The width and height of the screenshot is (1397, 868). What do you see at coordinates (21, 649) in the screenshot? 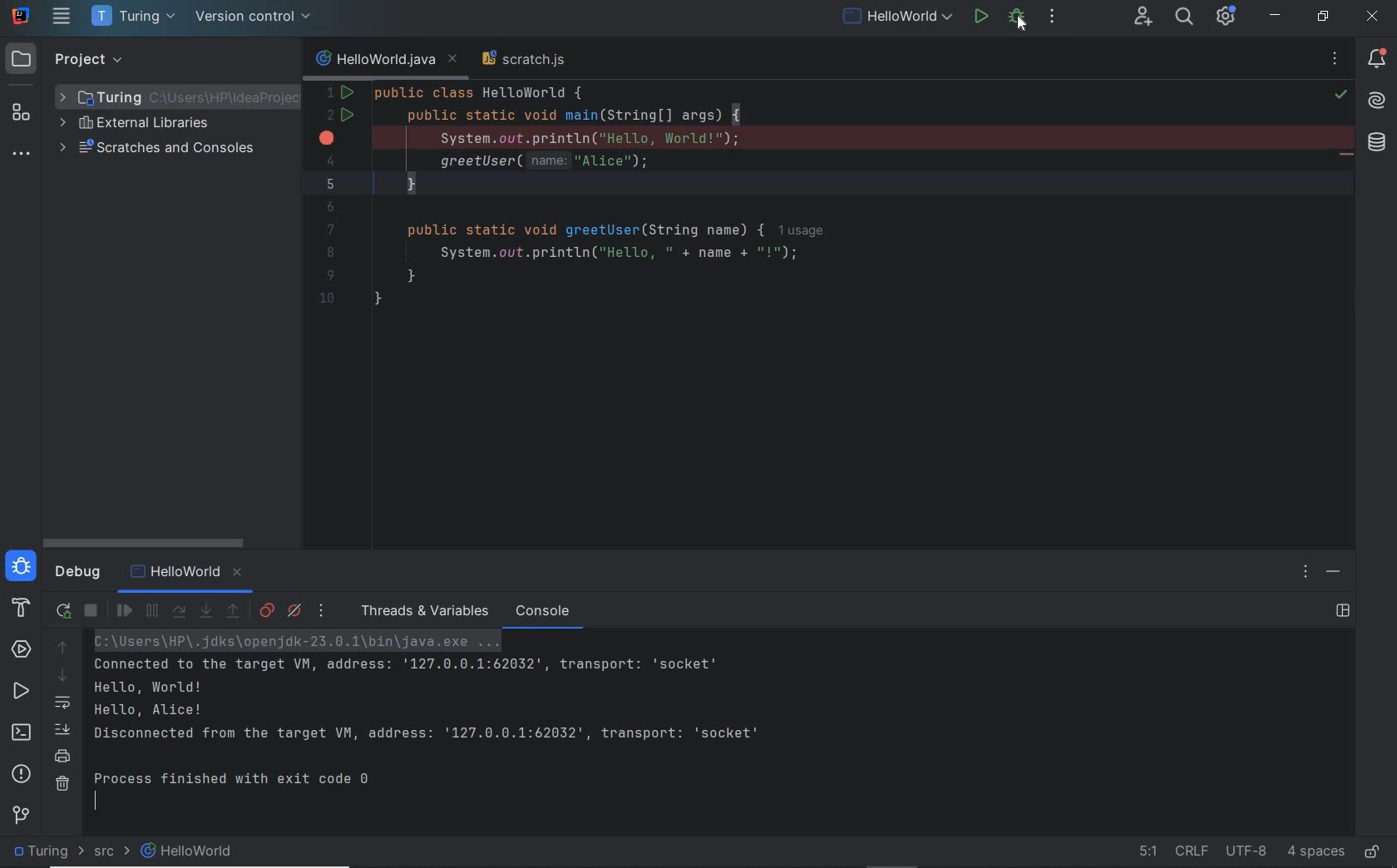
I see `services` at bounding box center [21, 649].